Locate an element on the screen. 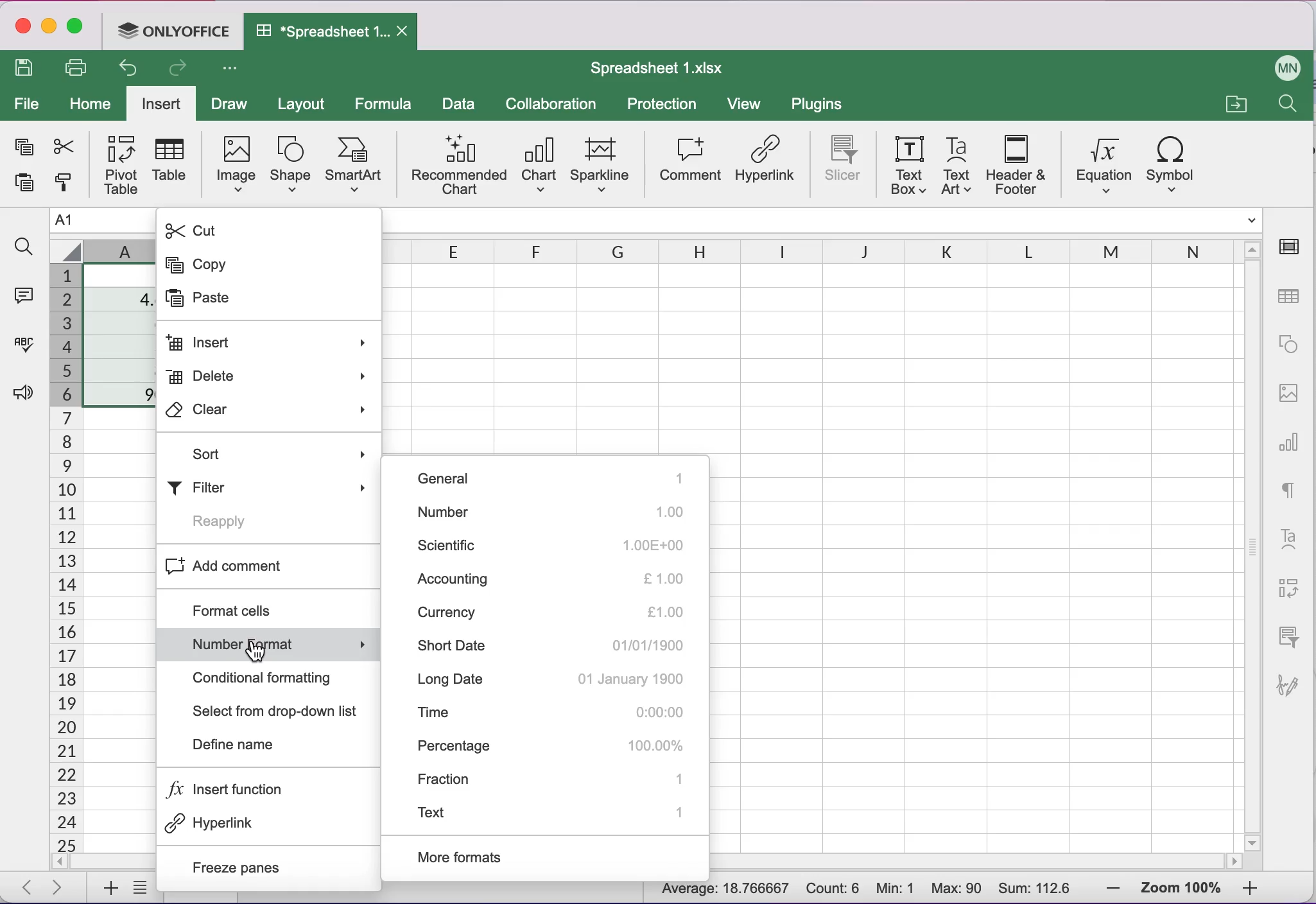 This screenshot has height=904, width=1316. comments is located at coordinates (24, 297).